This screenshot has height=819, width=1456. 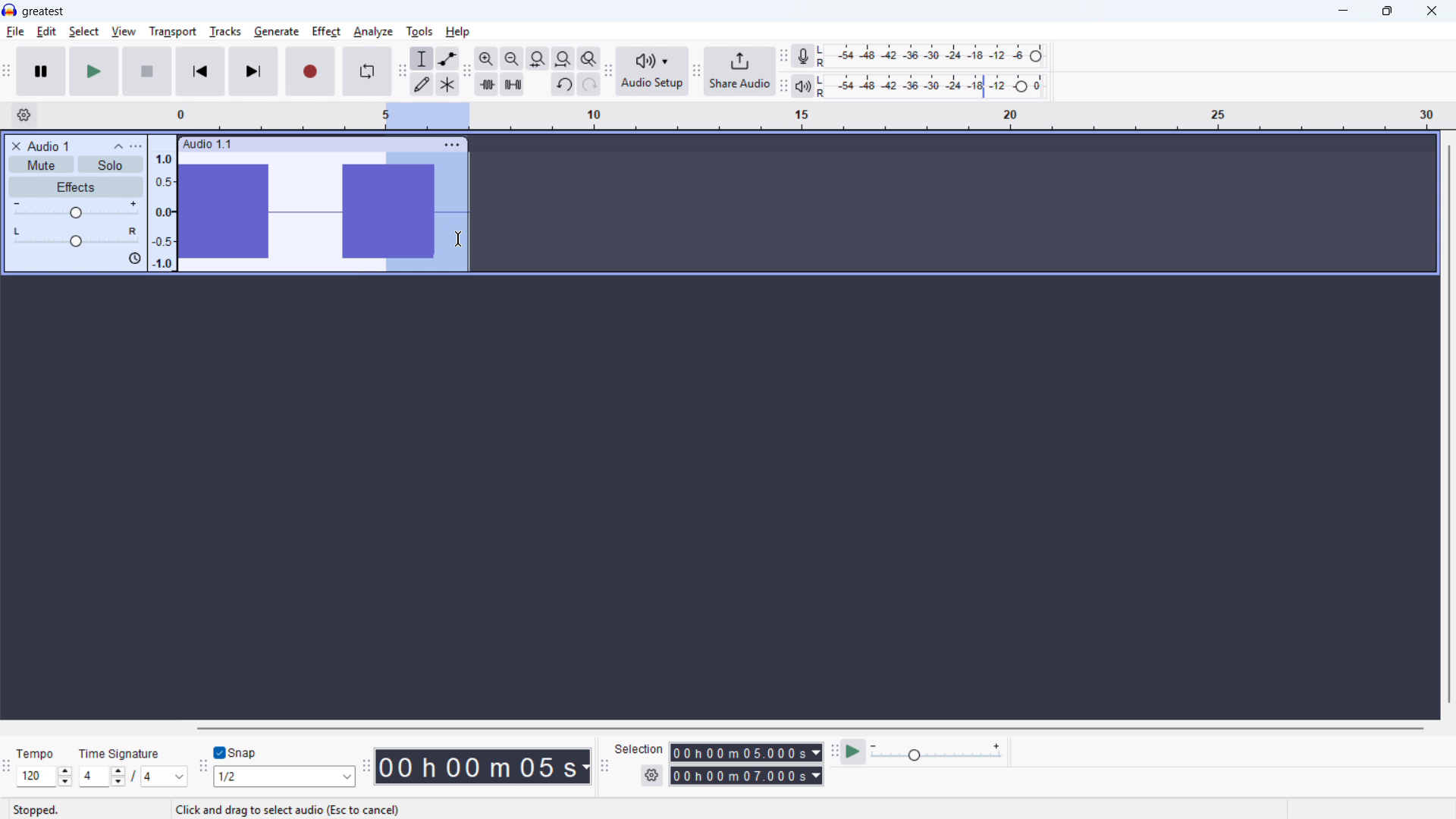 What do you see at coordinates (277, 33) in the screenshot?
I see `generate` at bounding box center [277, 33].